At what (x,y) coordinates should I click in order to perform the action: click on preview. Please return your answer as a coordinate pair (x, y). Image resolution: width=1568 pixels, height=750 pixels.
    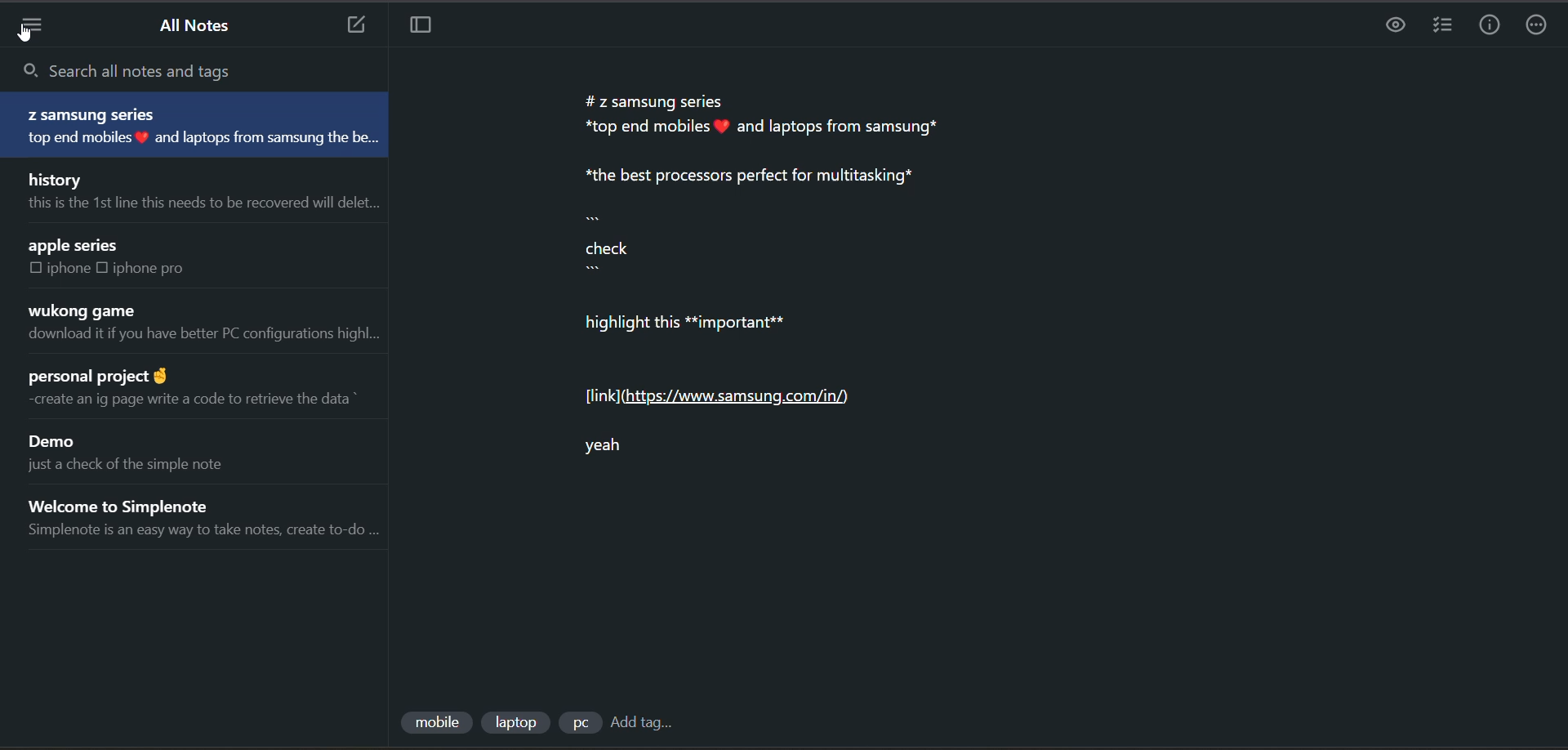
    Looking at the image, I should click on (1394, 26).